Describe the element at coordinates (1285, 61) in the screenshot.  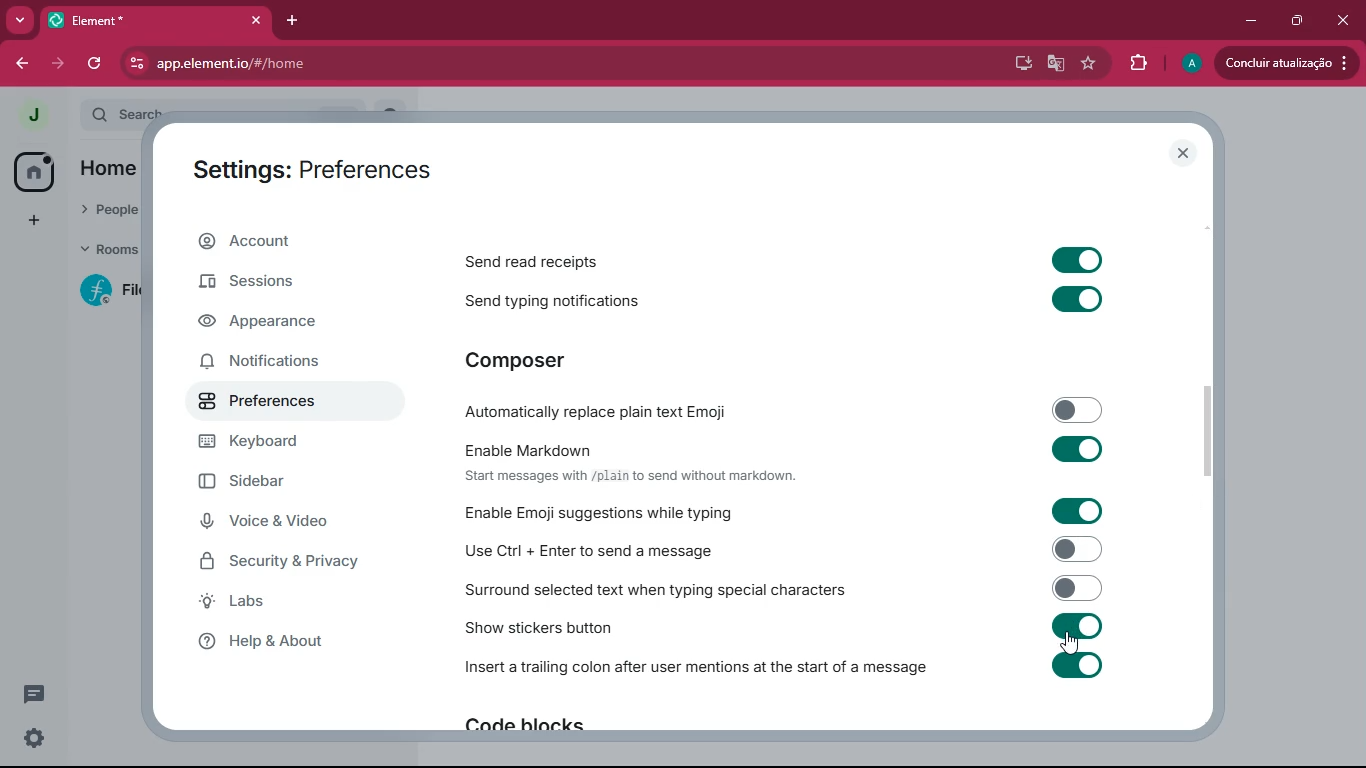
I see `conduir atualizacao` at that location.